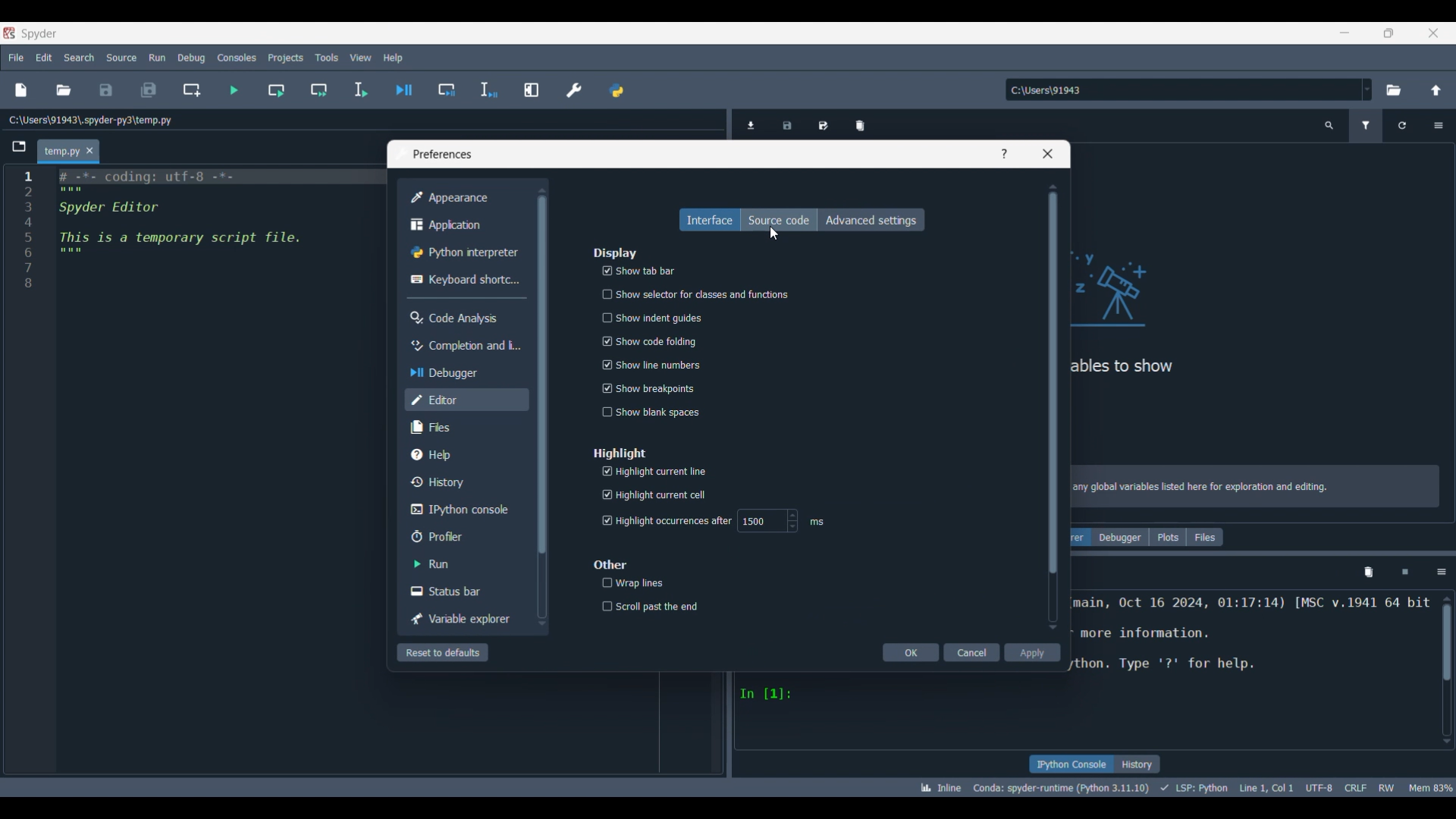 The width and height of the screenshot is (1456, 819). What do you see at coordinates (779, 220) in the screenshot?
I see `Source code` at bounding box center [779, 220].